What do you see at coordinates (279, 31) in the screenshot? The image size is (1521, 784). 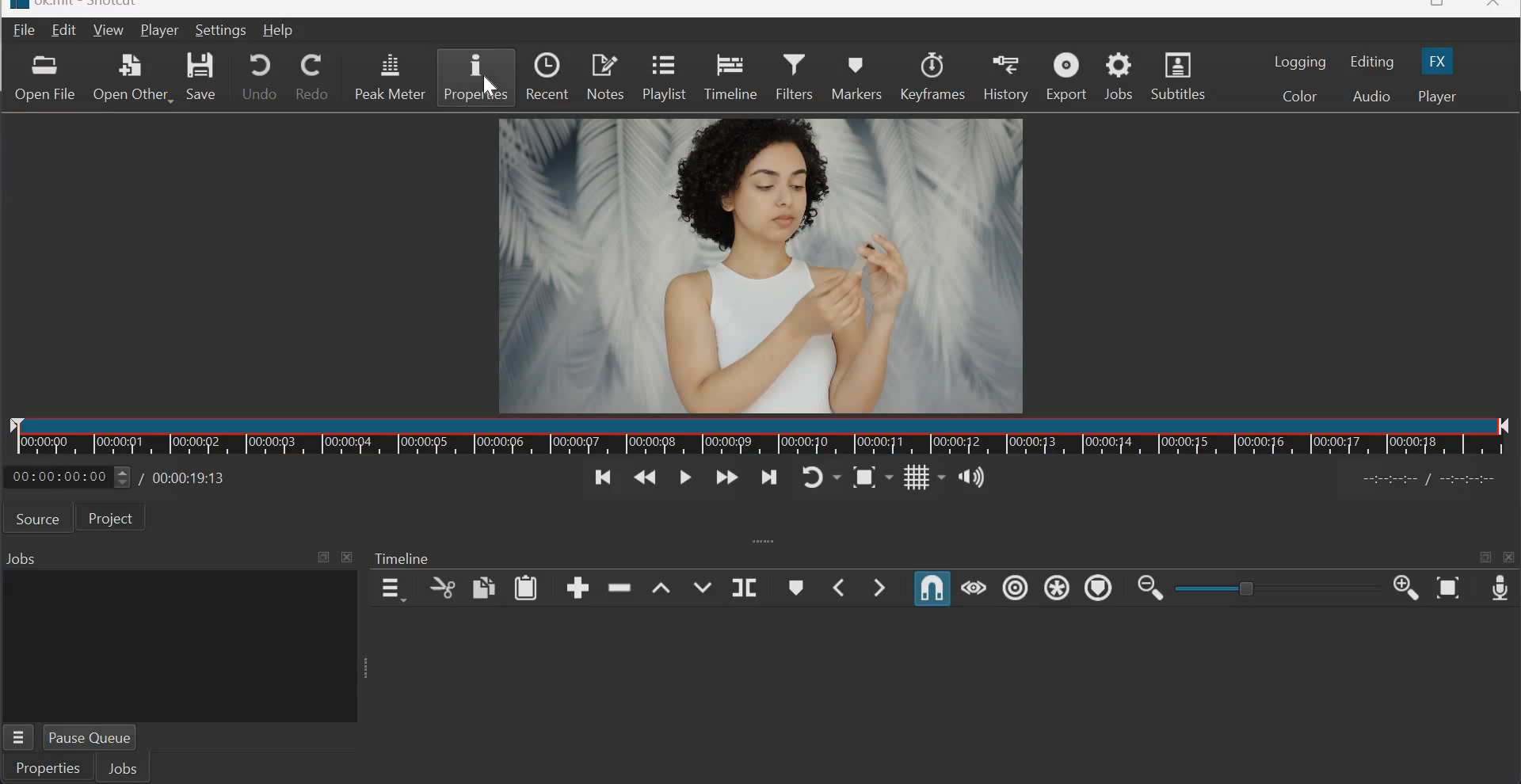 I see `Help` at bounding box center [279, 31].